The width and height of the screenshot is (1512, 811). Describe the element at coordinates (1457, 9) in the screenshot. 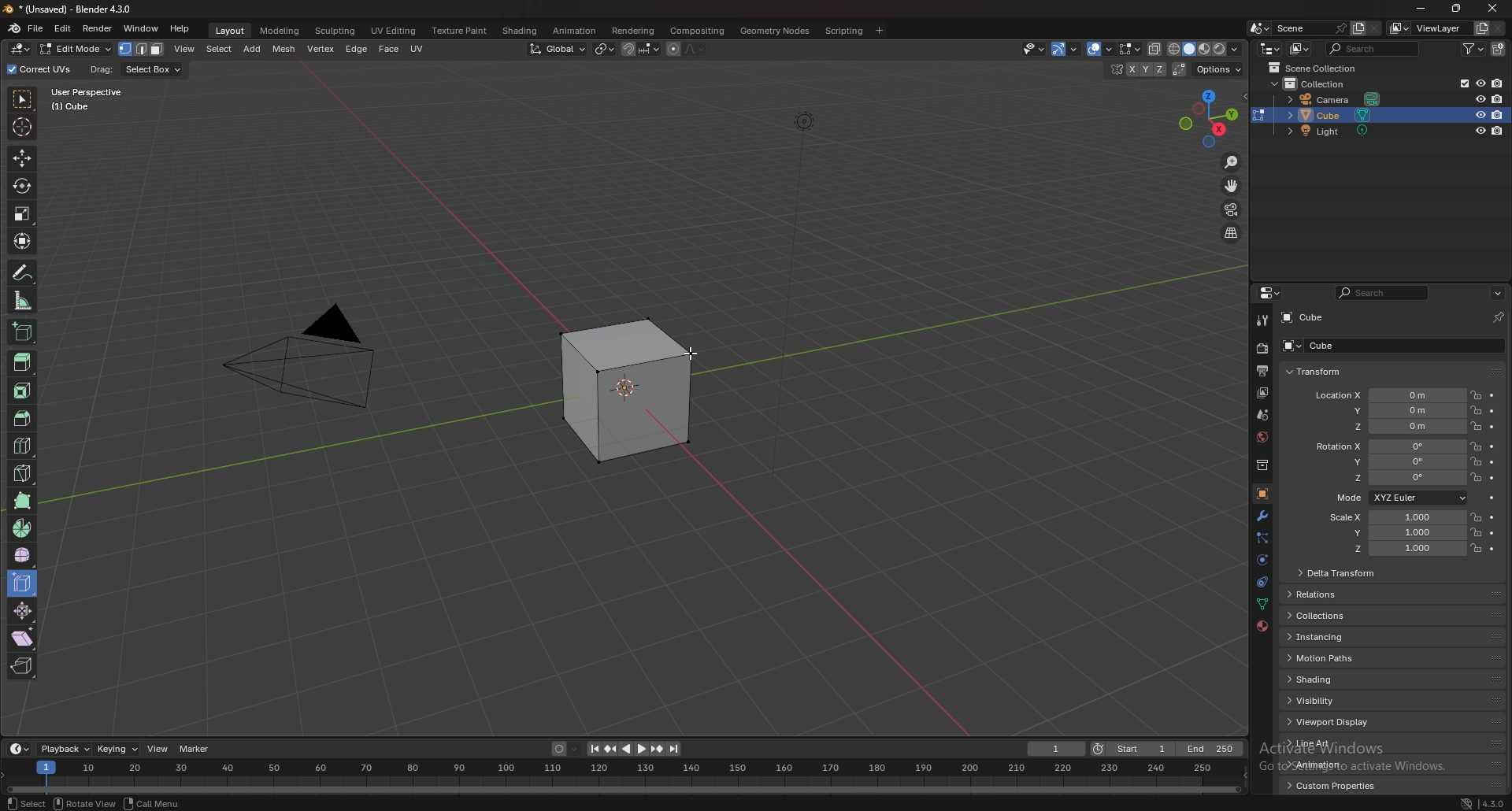

I see `resize` at that location.